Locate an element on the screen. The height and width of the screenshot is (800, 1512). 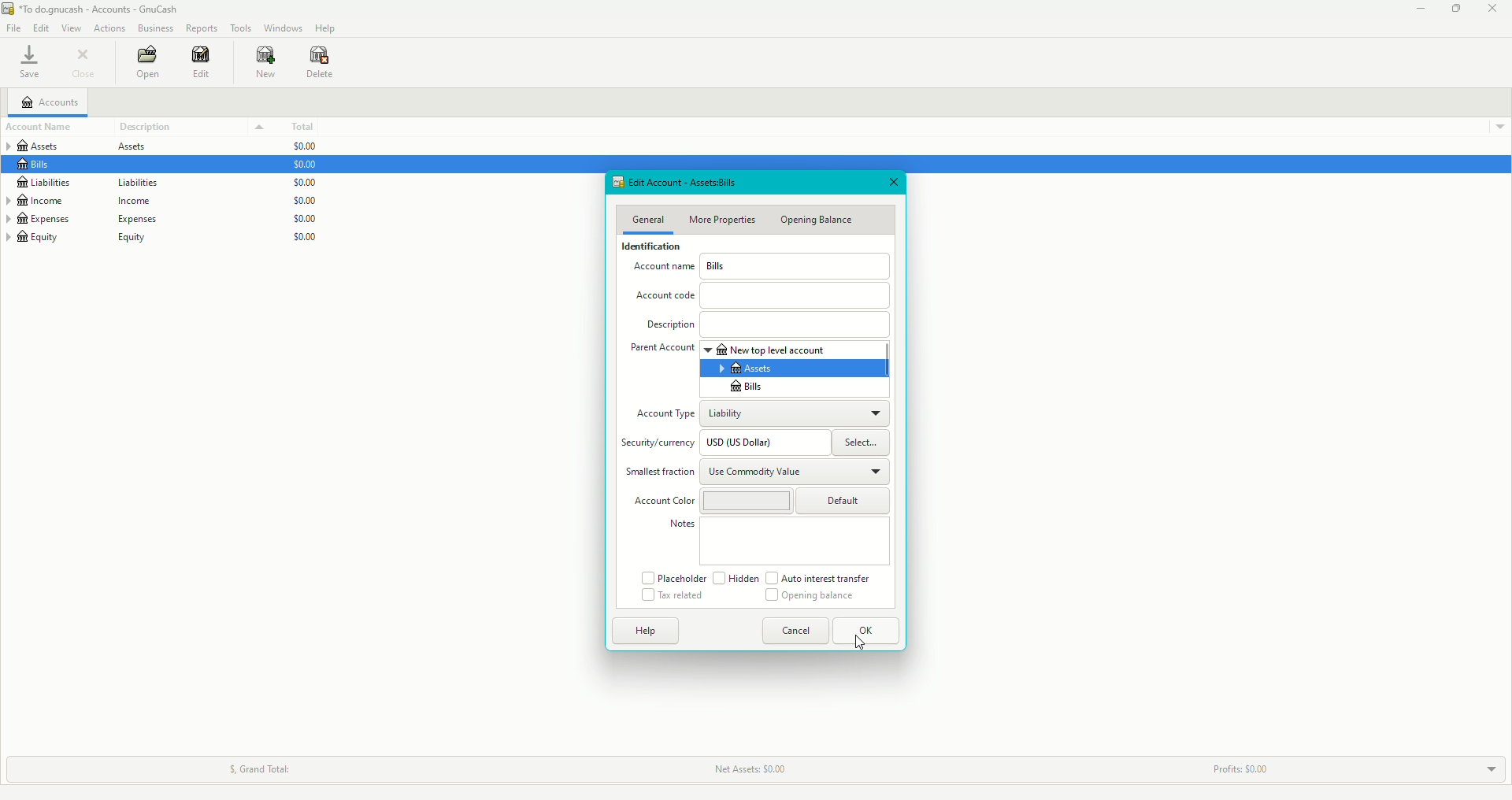
Assets is located at coordinates (89, 147).